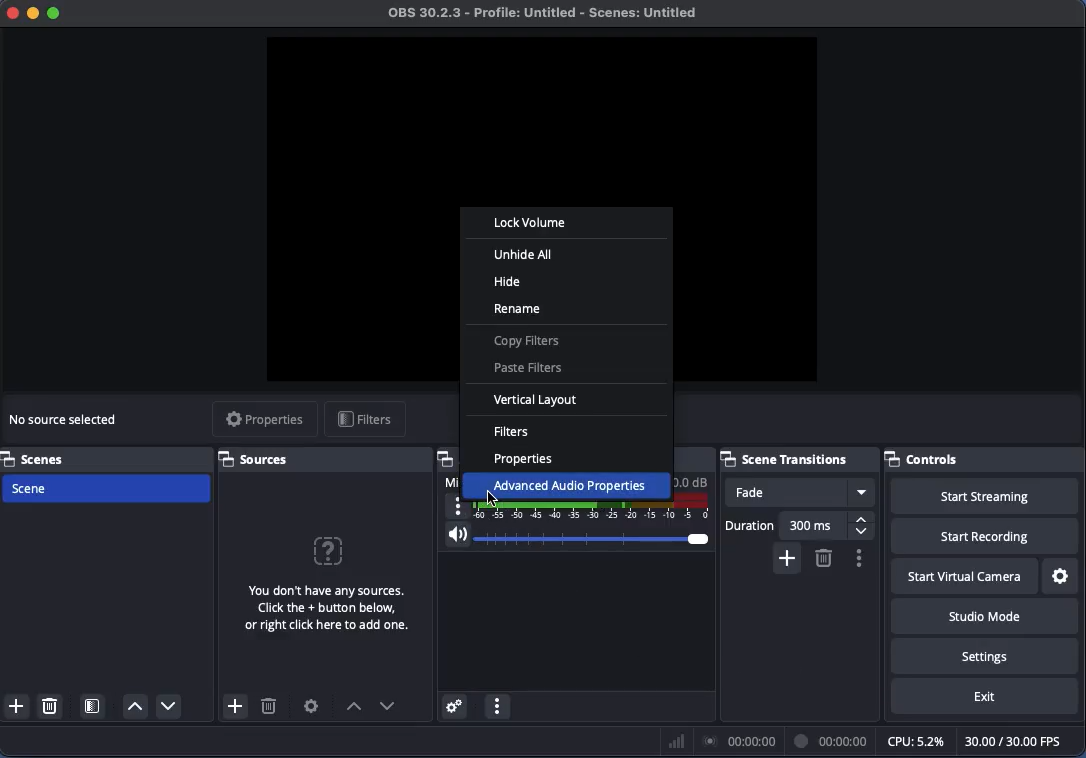 Image resolution: width=1086 pixels, height=758 pixels. Describe the element at coordinates (985, 537) in the screenshot. I see `Start recording` at that location.